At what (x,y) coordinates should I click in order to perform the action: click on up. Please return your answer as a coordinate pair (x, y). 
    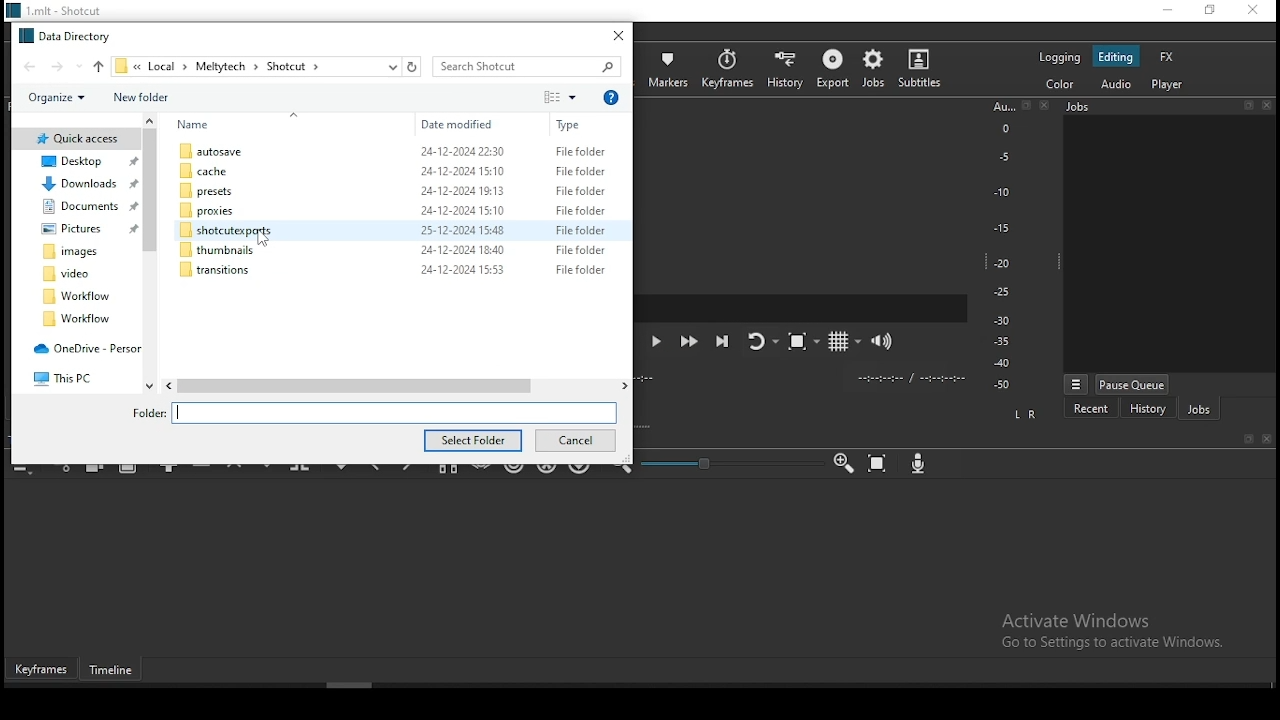
    Looking at the image, I should click on (98, 65).